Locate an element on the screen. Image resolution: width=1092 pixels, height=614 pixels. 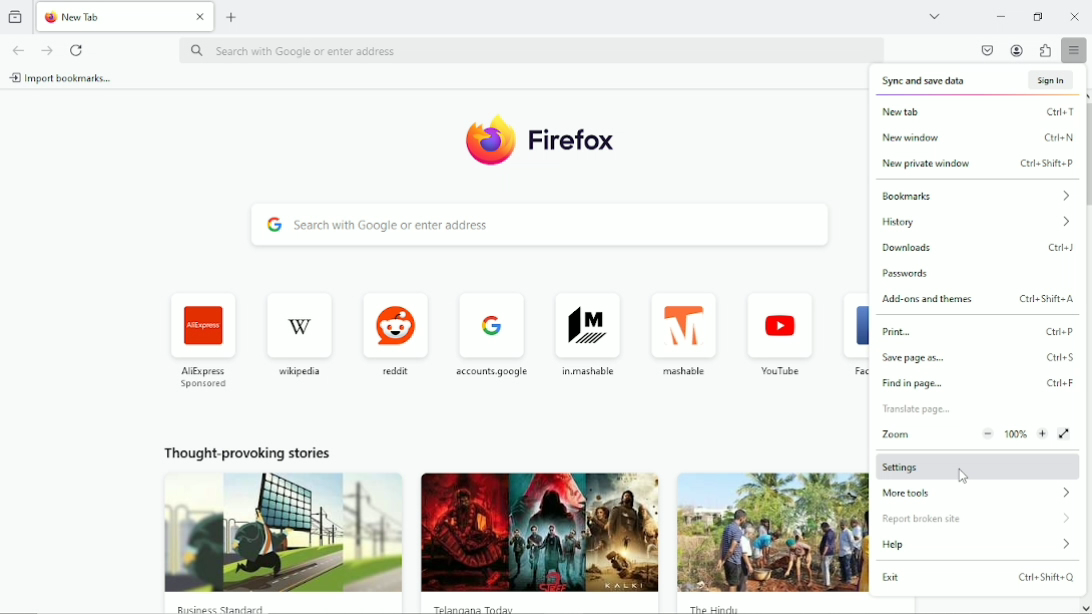
current tab is located at coordinates (123, 16).